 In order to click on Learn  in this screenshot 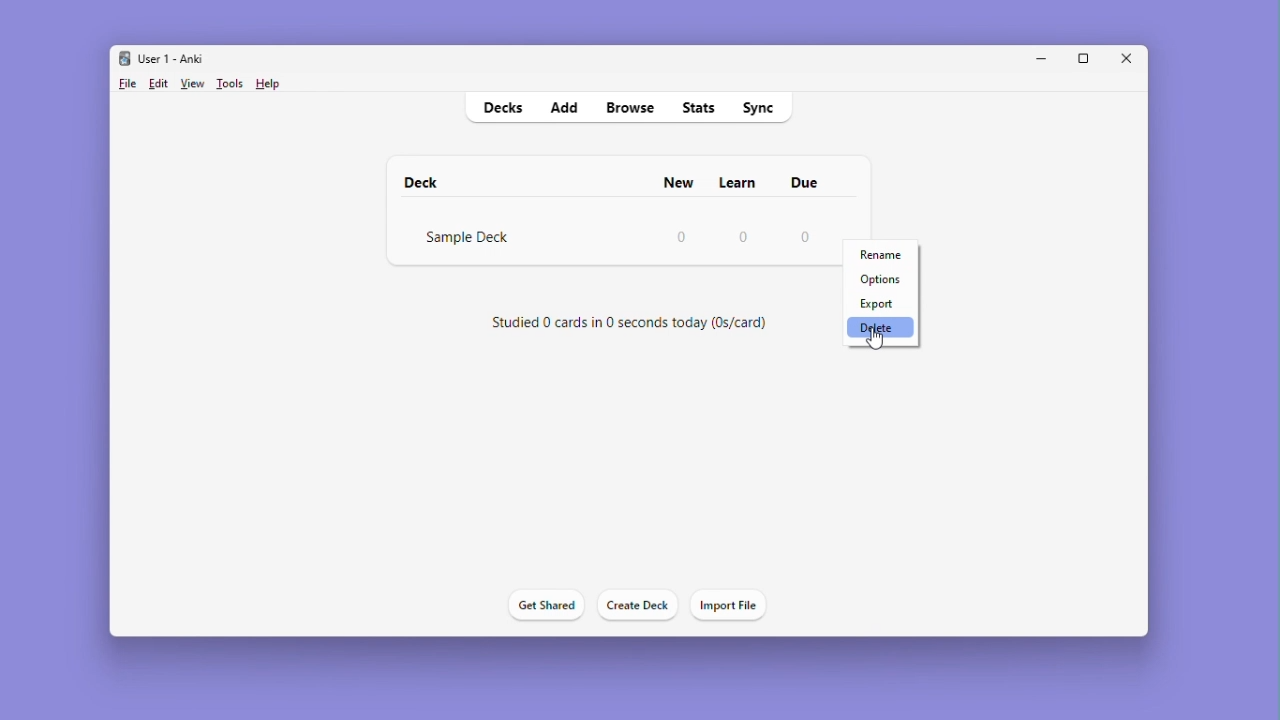, I will do `click(736, 184)`.